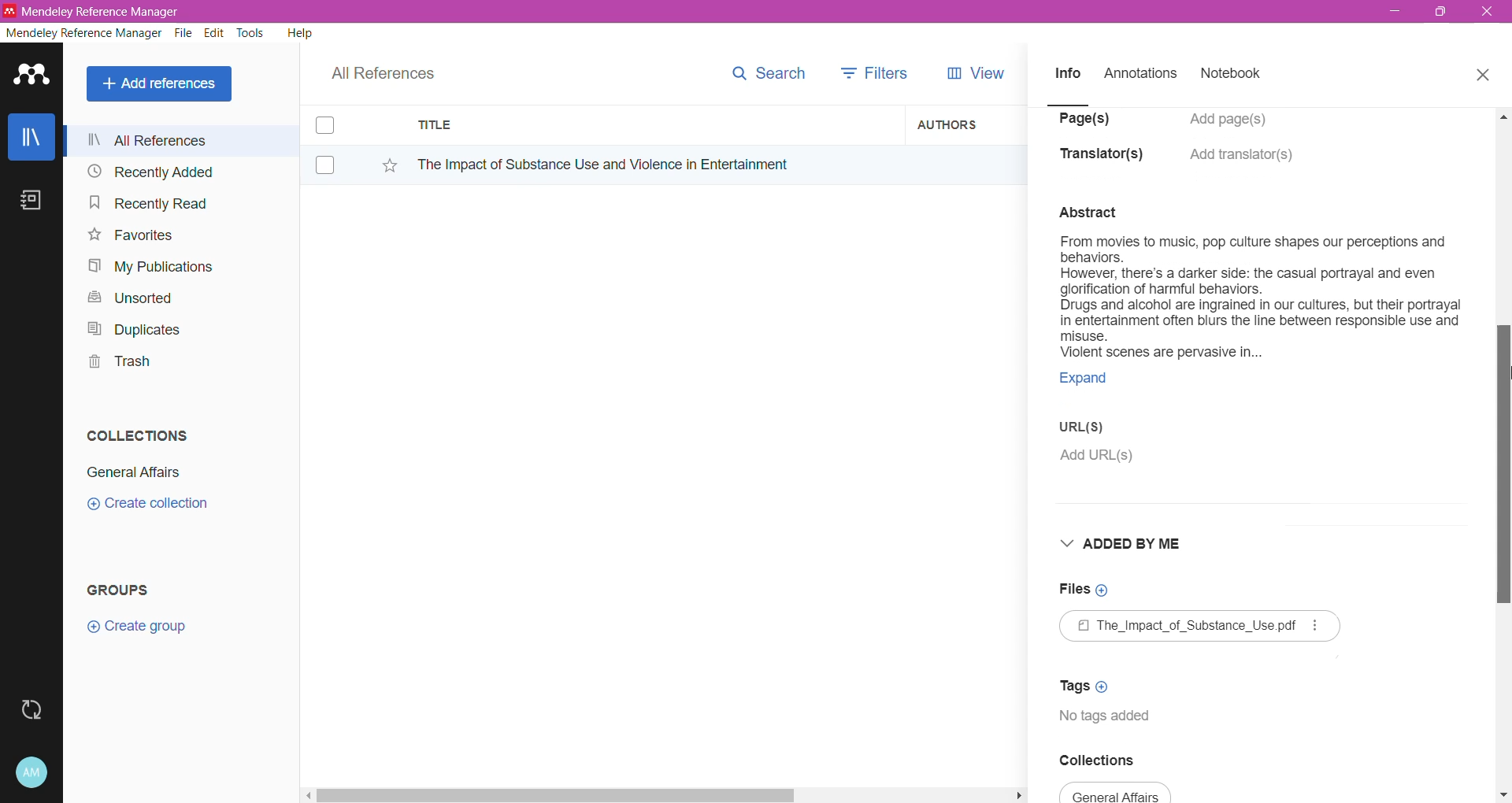 The image size is (1512, 803). What do you see at coordinates (147, 506) in the screenshot?
I see `Click to Create Collection` at bounding box center [147, 506].